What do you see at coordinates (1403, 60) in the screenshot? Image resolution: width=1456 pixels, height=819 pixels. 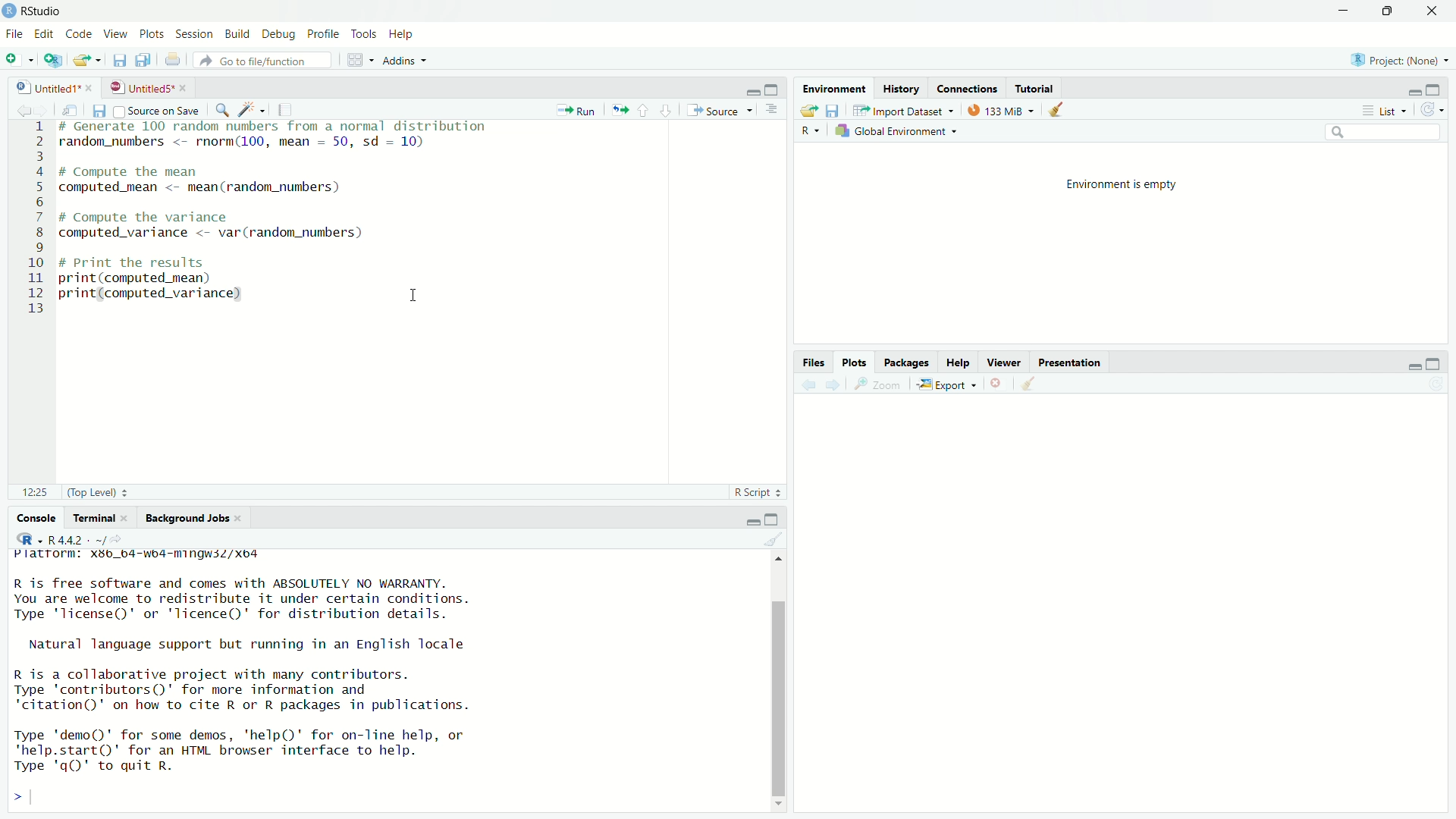 I see `project: (none)` at bounding box center [1403, 60].